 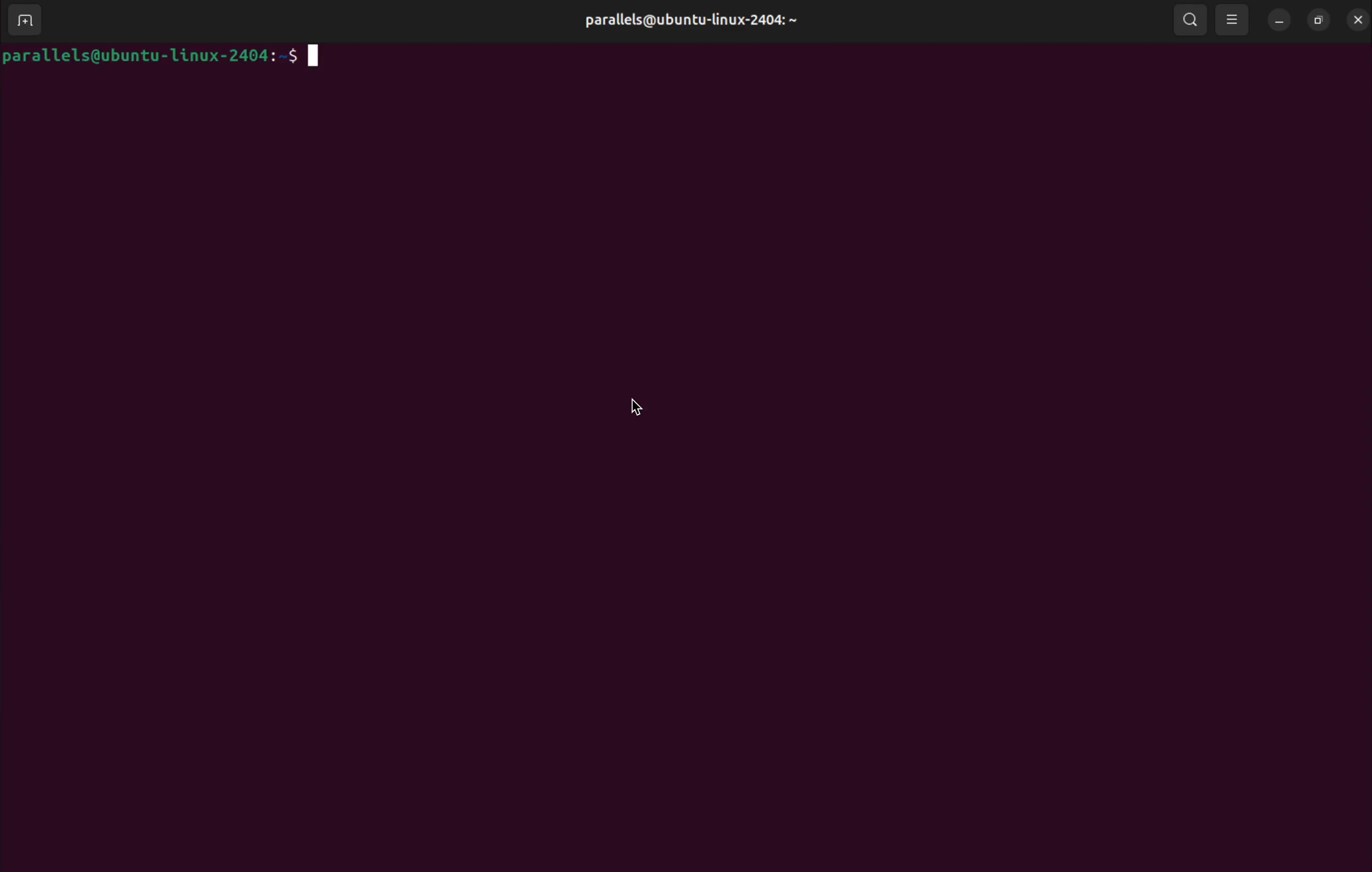 I want to click on parallels ubuntu linux profile, so click(x=687, y=21).